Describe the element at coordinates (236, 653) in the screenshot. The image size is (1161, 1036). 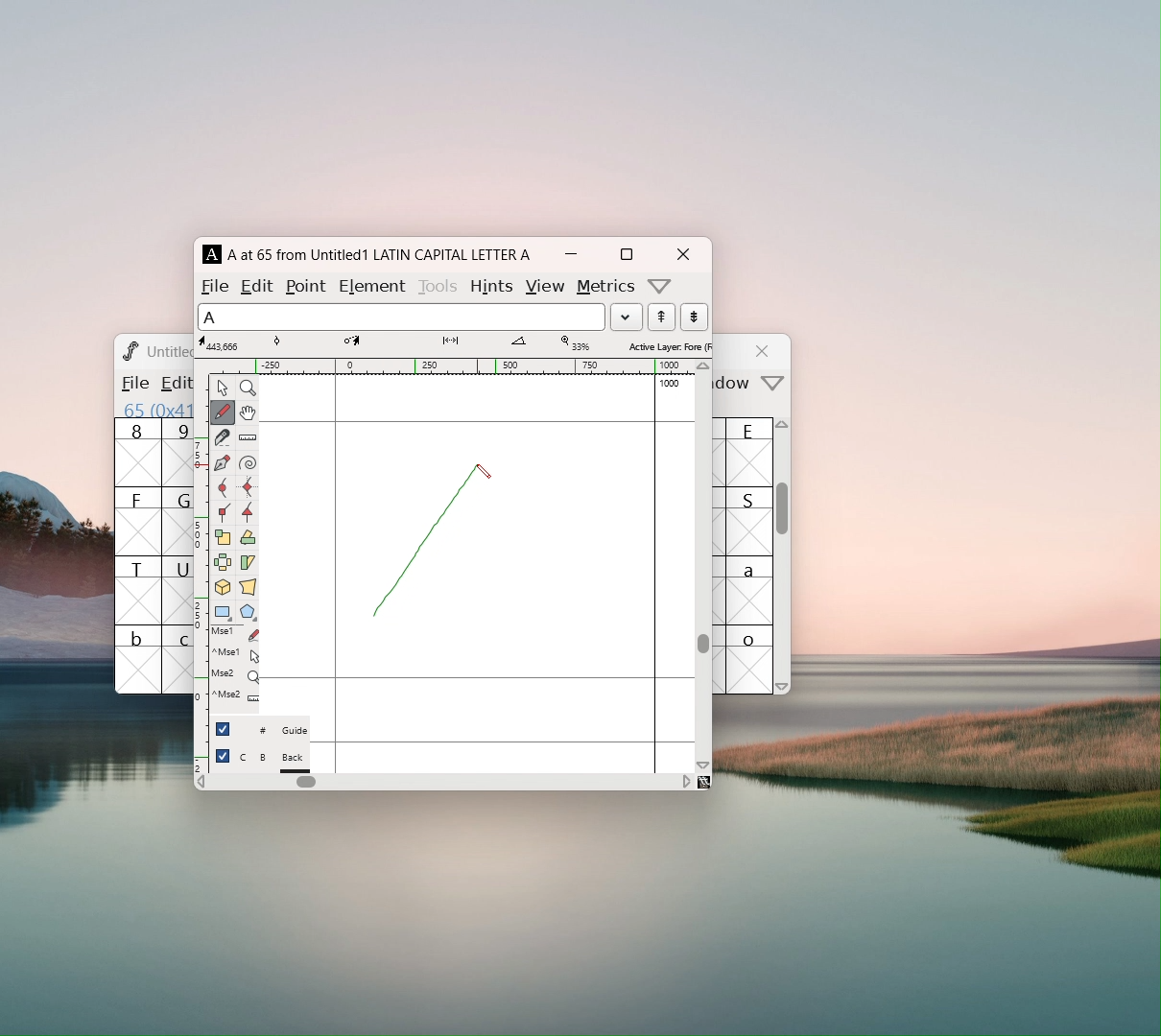
I see `^Mse2` at that location.